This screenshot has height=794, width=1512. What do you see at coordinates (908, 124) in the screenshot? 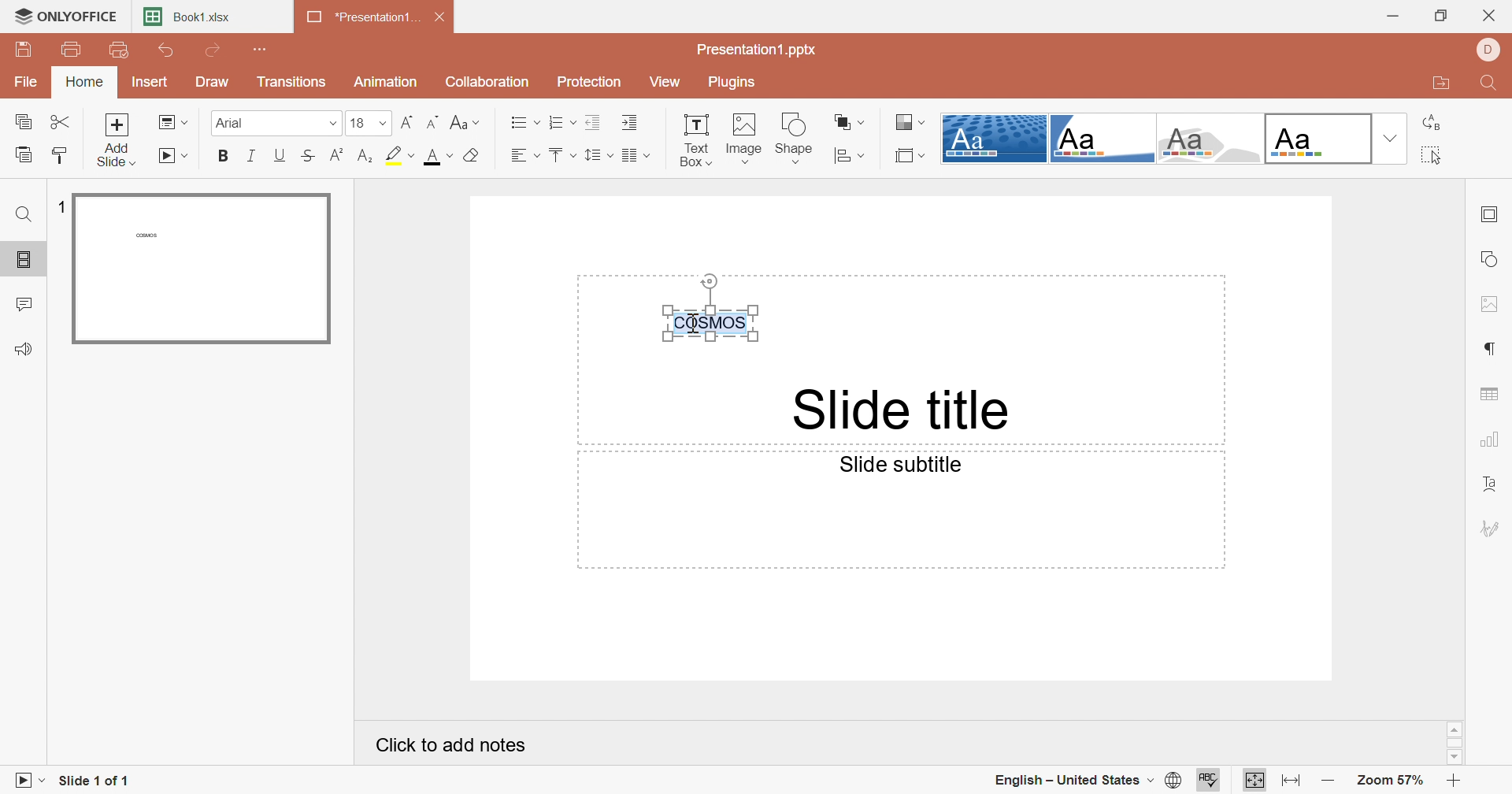
I see `Select color theme` at bounding box center [908, 124].